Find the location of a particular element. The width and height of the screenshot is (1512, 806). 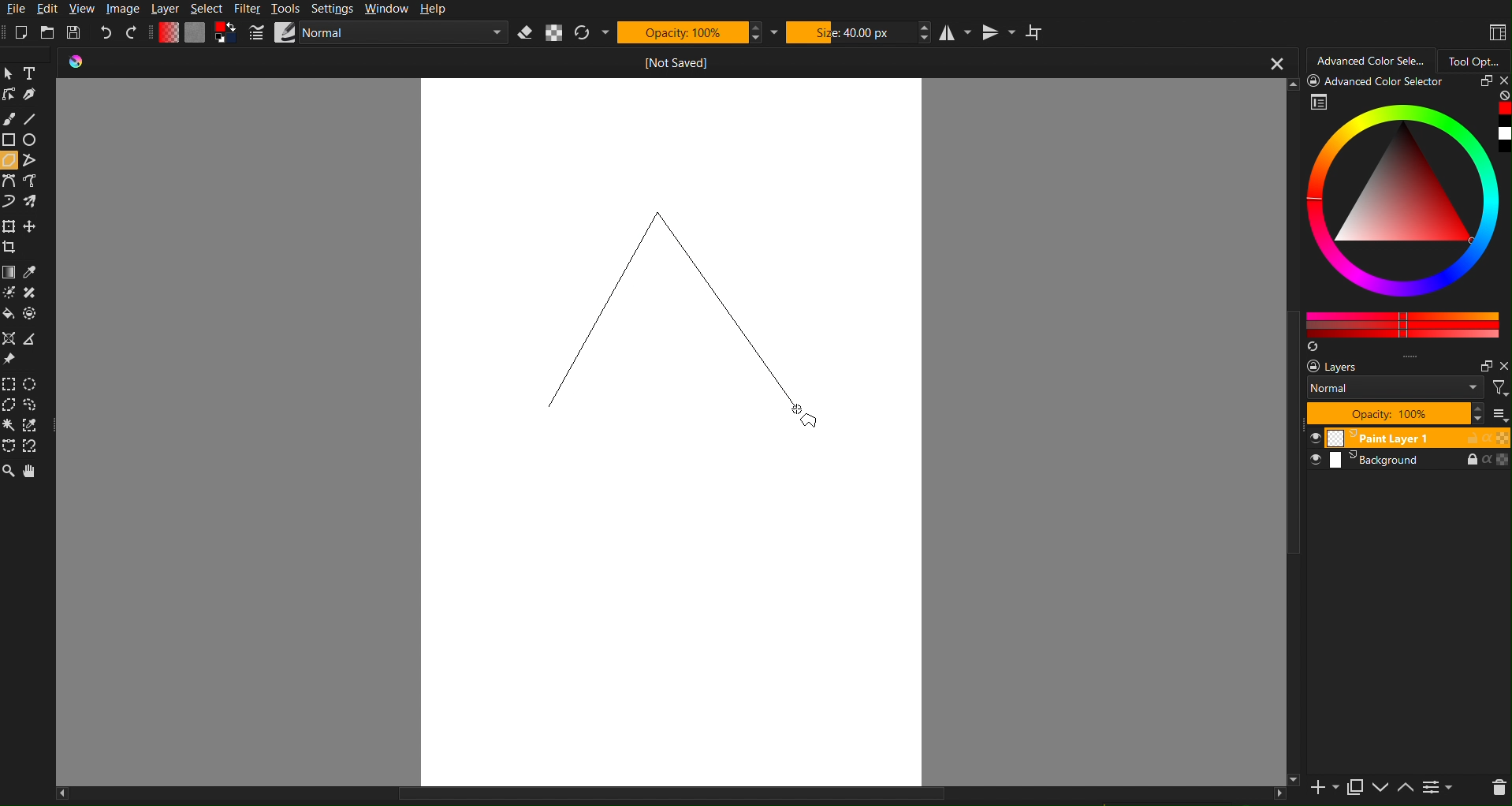

bezier Curve Tools is located at coordinates (9, 181).